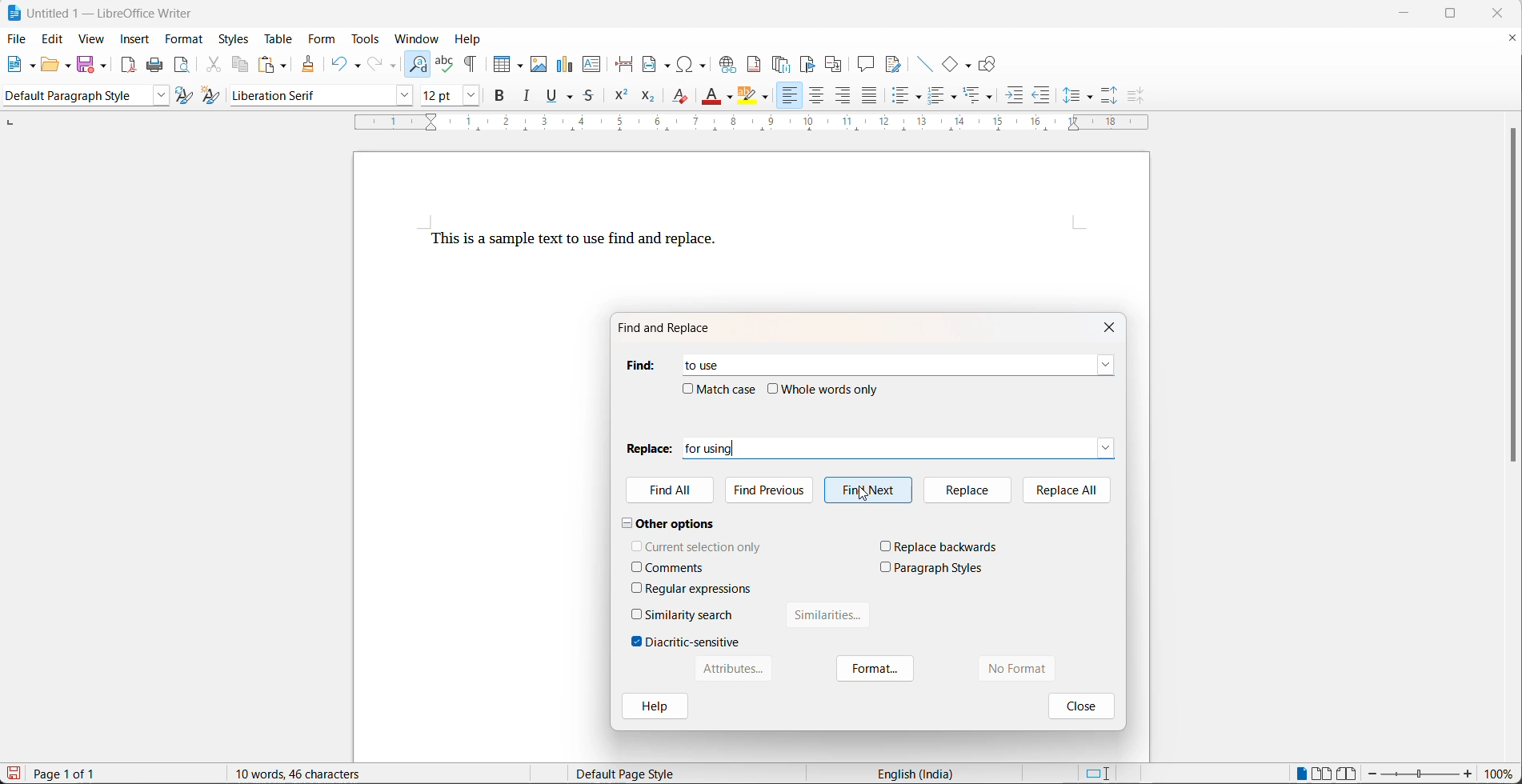  I want to click on help, so click(473, 38).